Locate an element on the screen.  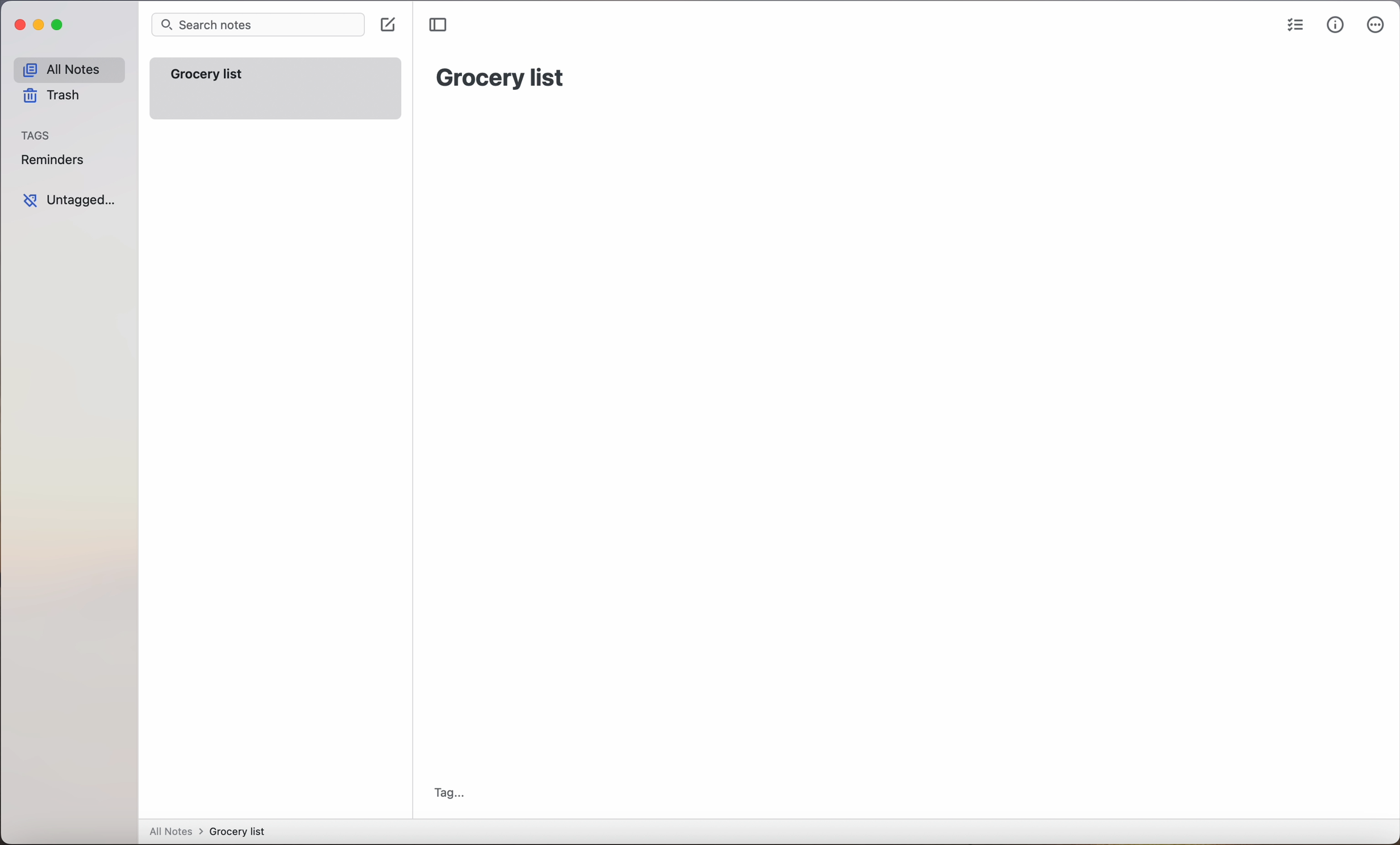
trash is located at coordinates (50, 98).